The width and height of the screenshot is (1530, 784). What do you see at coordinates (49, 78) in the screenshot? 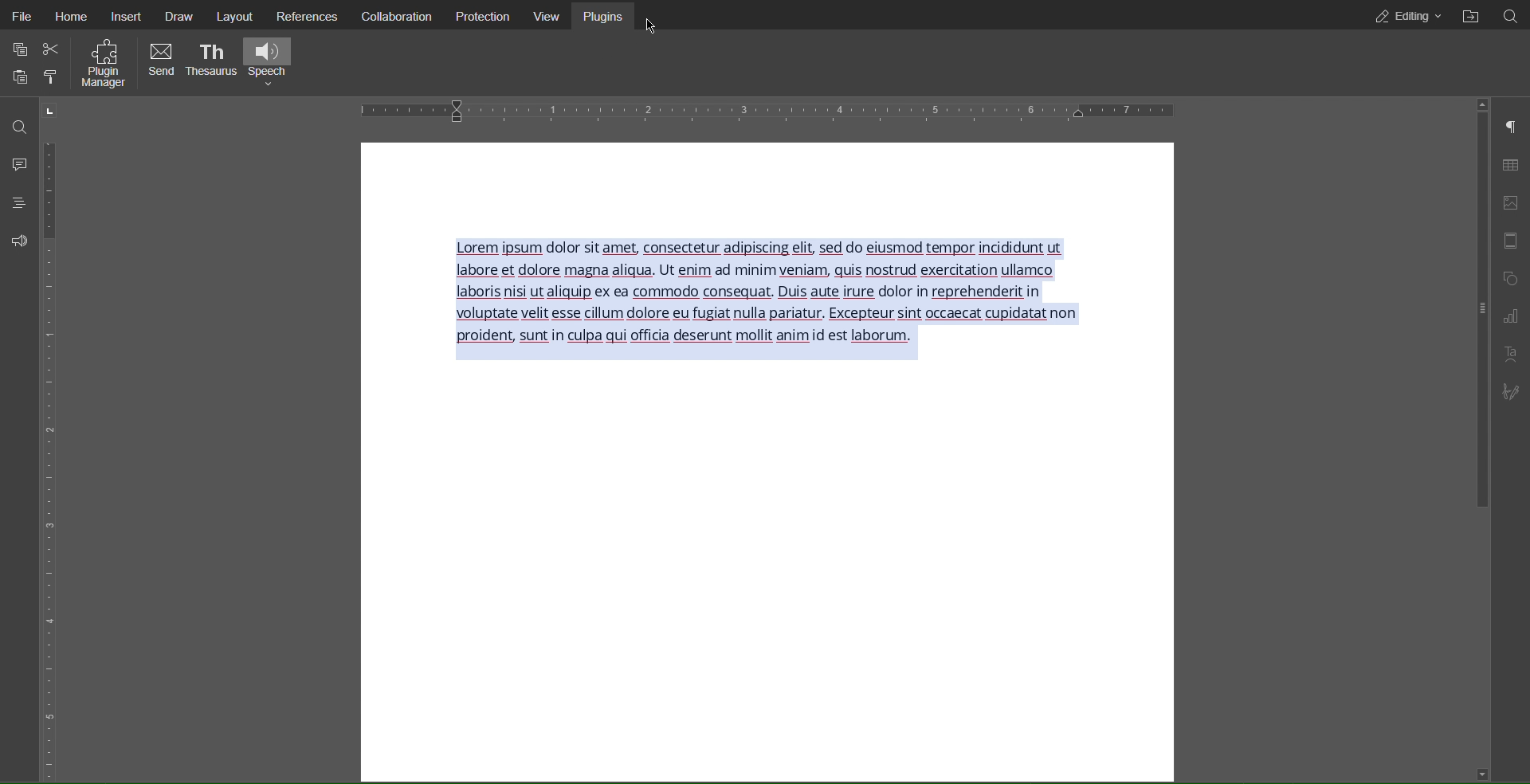
I see `Formatter` at bounding box center [49, 78].